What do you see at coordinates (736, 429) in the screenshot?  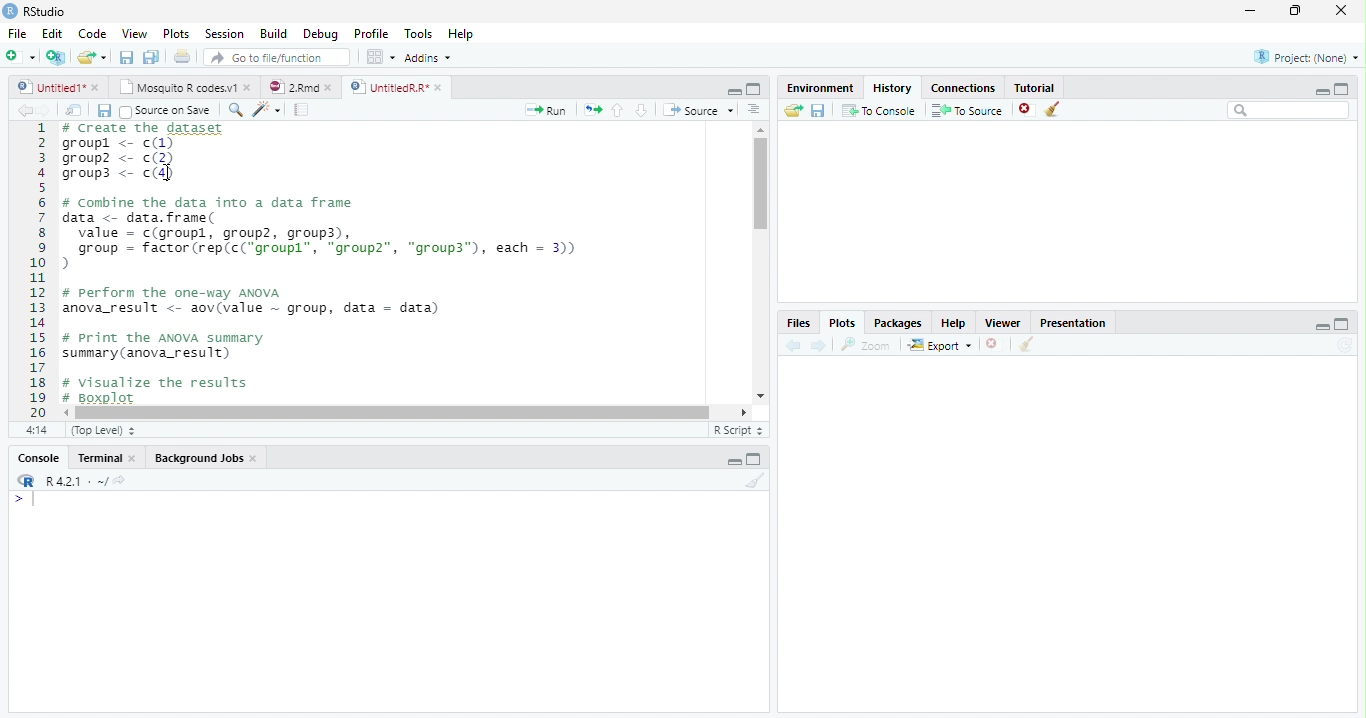 I see `R script` at bounding box center [736, 429].